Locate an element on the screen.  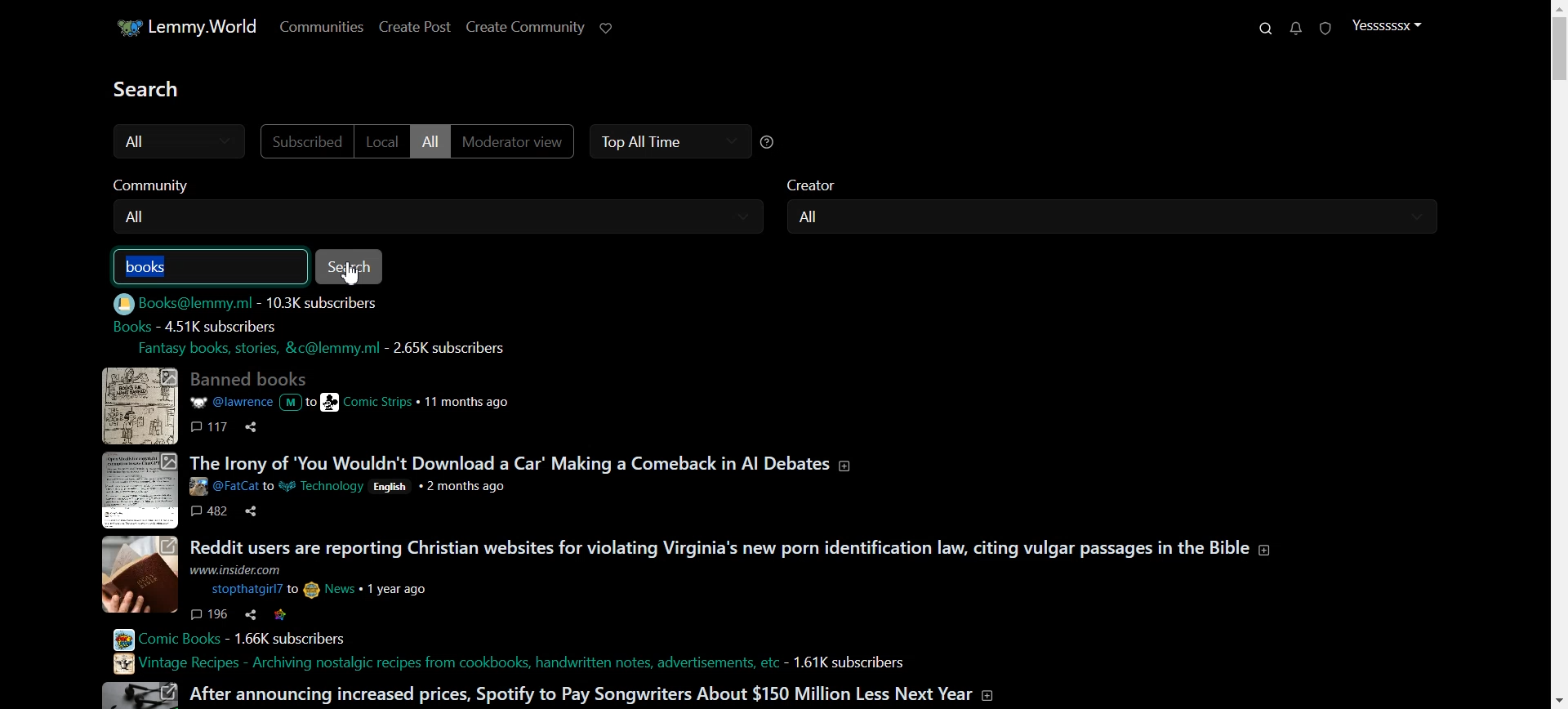
image is located at coordinates (142, 574).